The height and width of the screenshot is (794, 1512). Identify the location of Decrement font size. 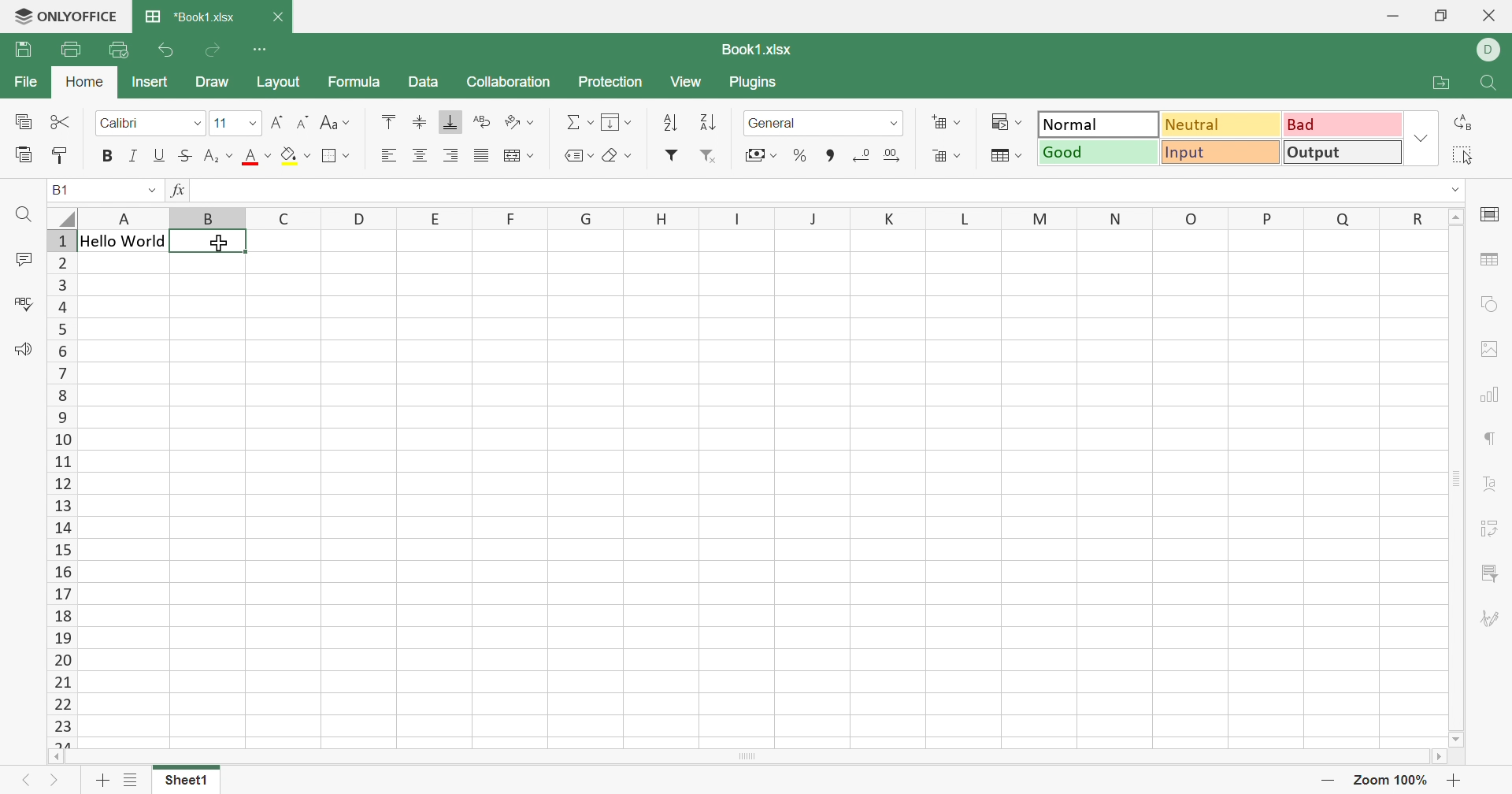
(303, 121).